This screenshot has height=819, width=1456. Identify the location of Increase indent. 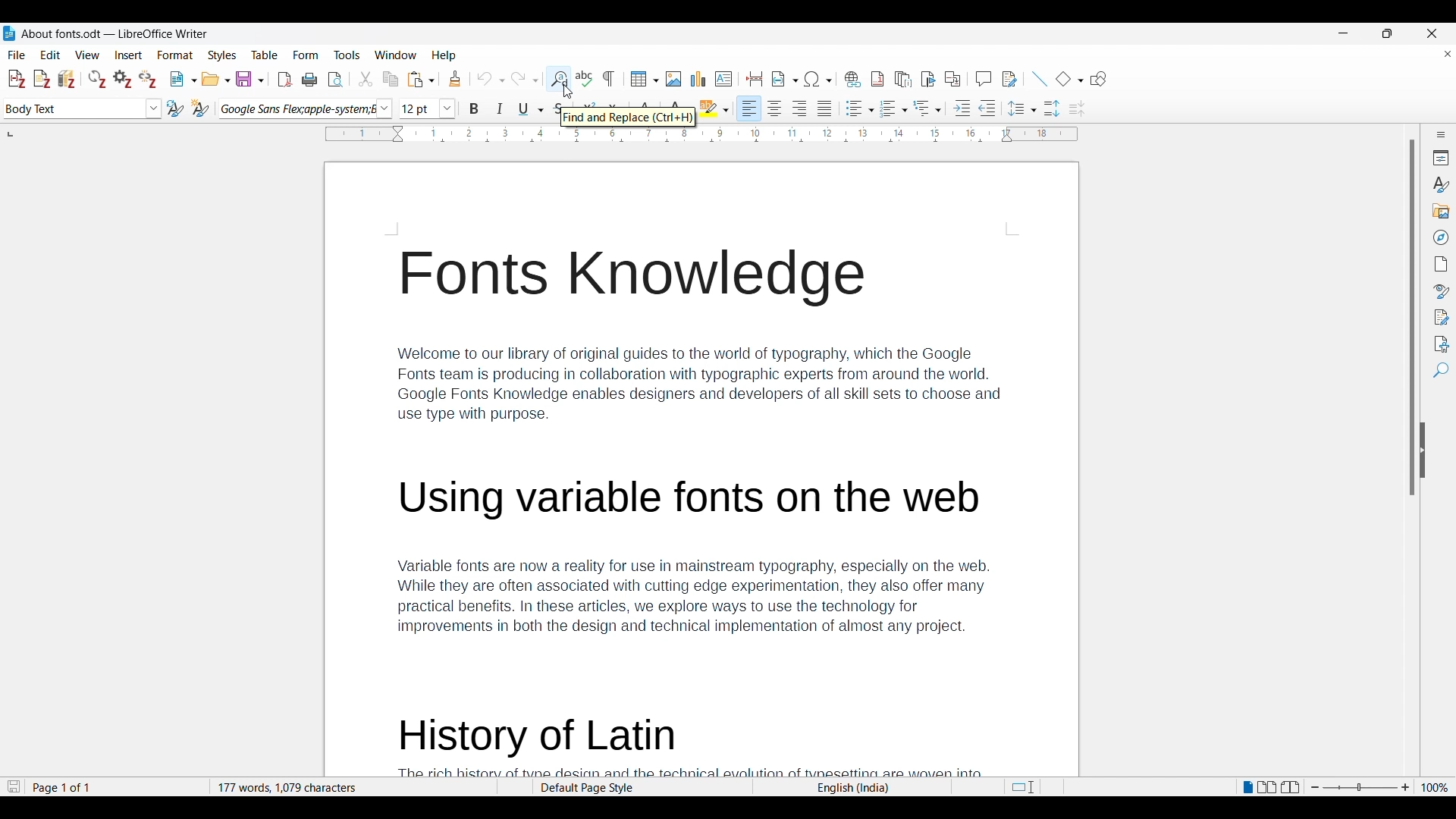
(962, 108).